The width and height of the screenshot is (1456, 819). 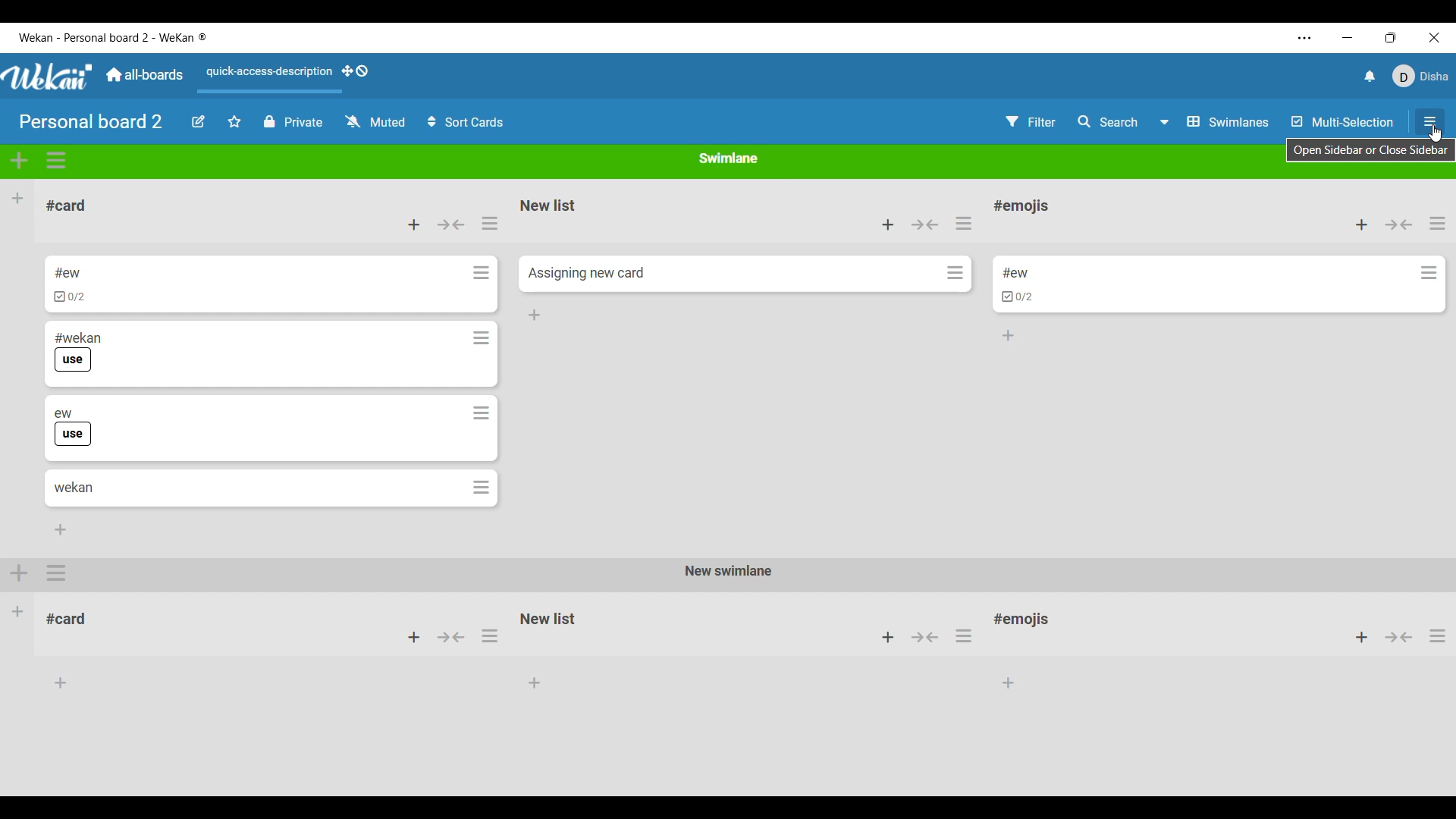 What do you see at coordinates (91, 121) in the screenshot?
I see `Board title` at bounding box center [91, 121].